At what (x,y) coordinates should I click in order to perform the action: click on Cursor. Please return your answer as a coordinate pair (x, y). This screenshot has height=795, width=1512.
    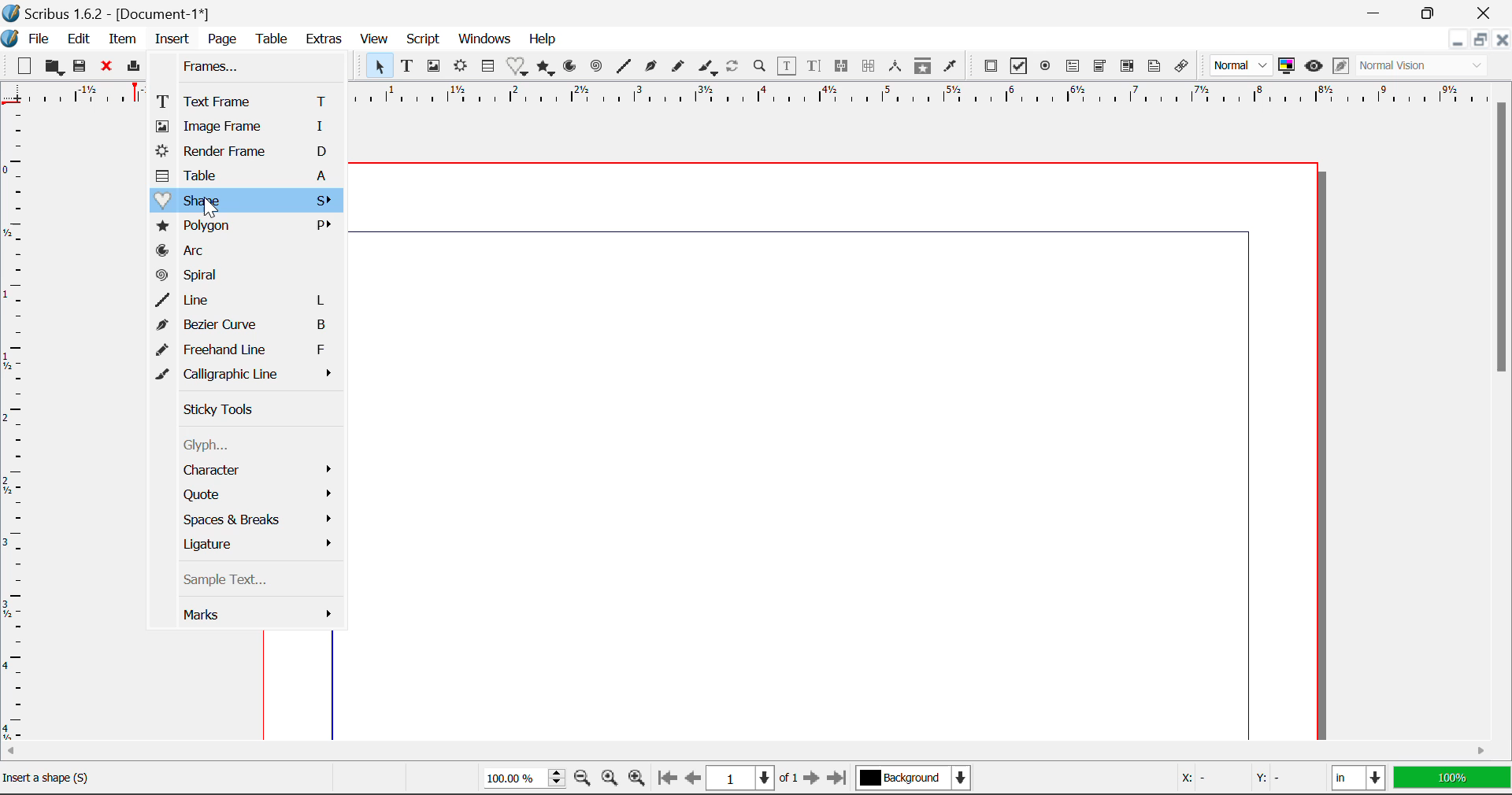
    Looking at the image, I should click on (209, 206).